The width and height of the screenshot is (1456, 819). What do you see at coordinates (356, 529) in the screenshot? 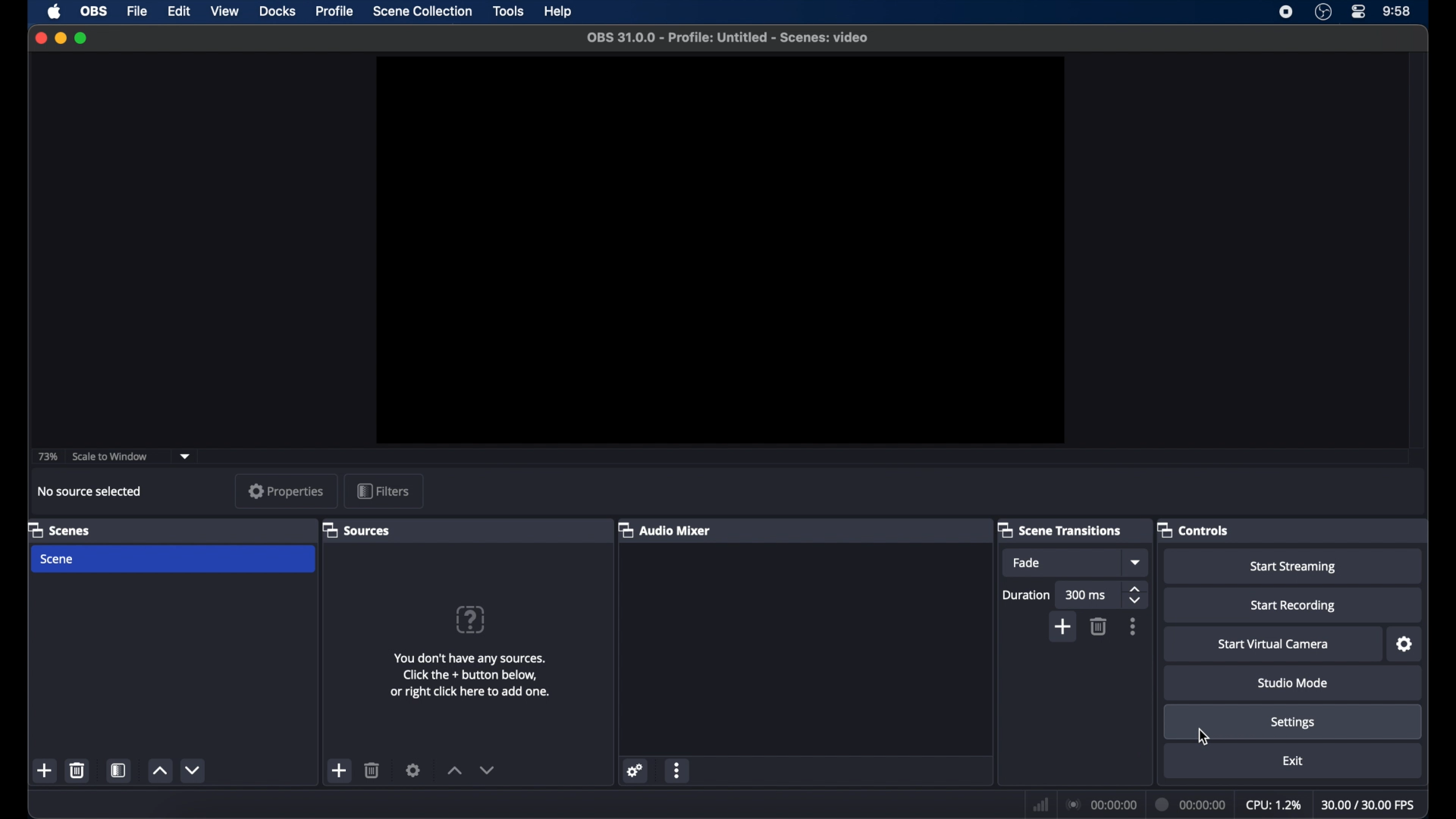
I see `sources` at bounding box center [356, 529].